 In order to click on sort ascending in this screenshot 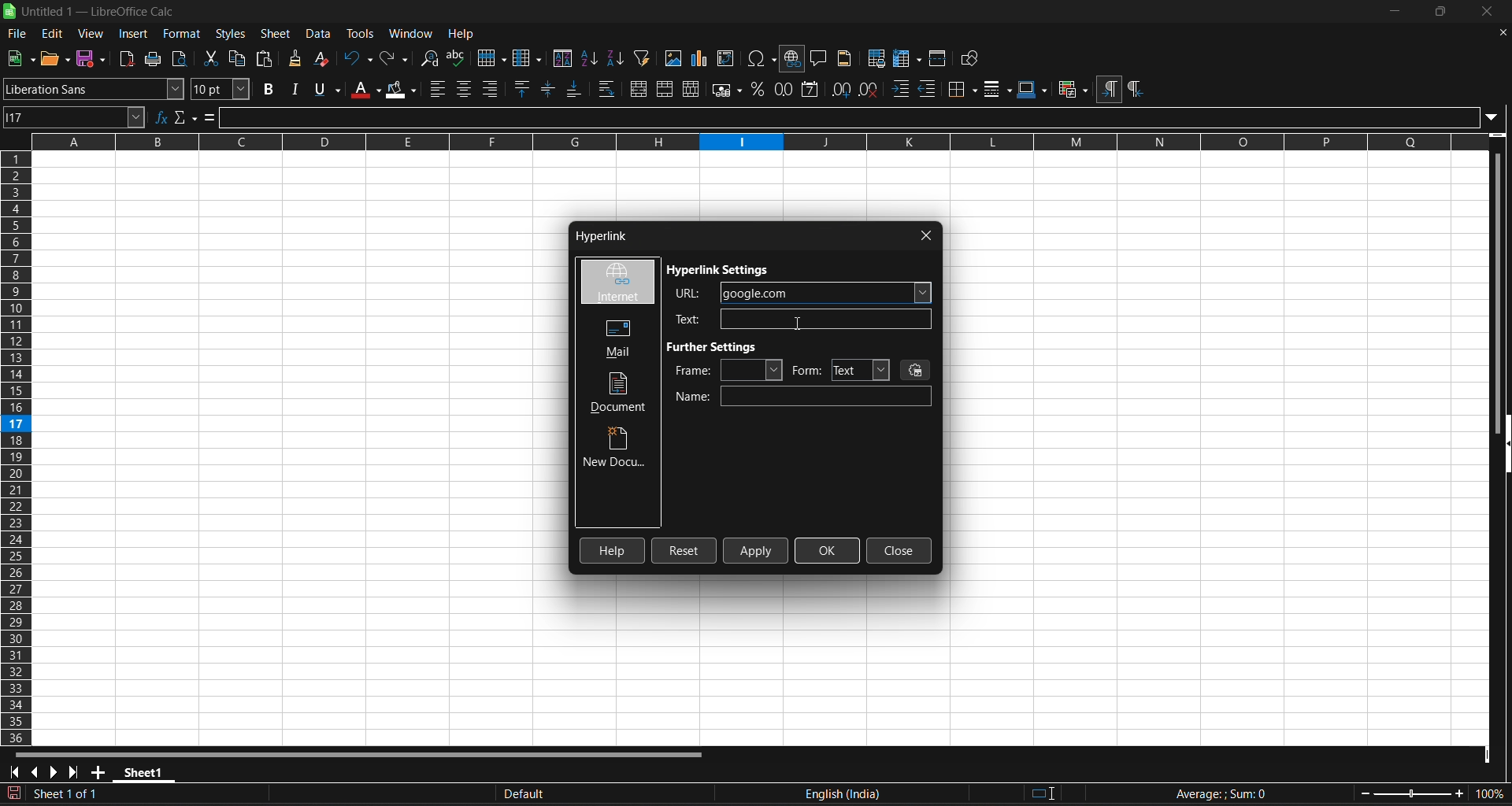, I will do `click(591, 58)`.